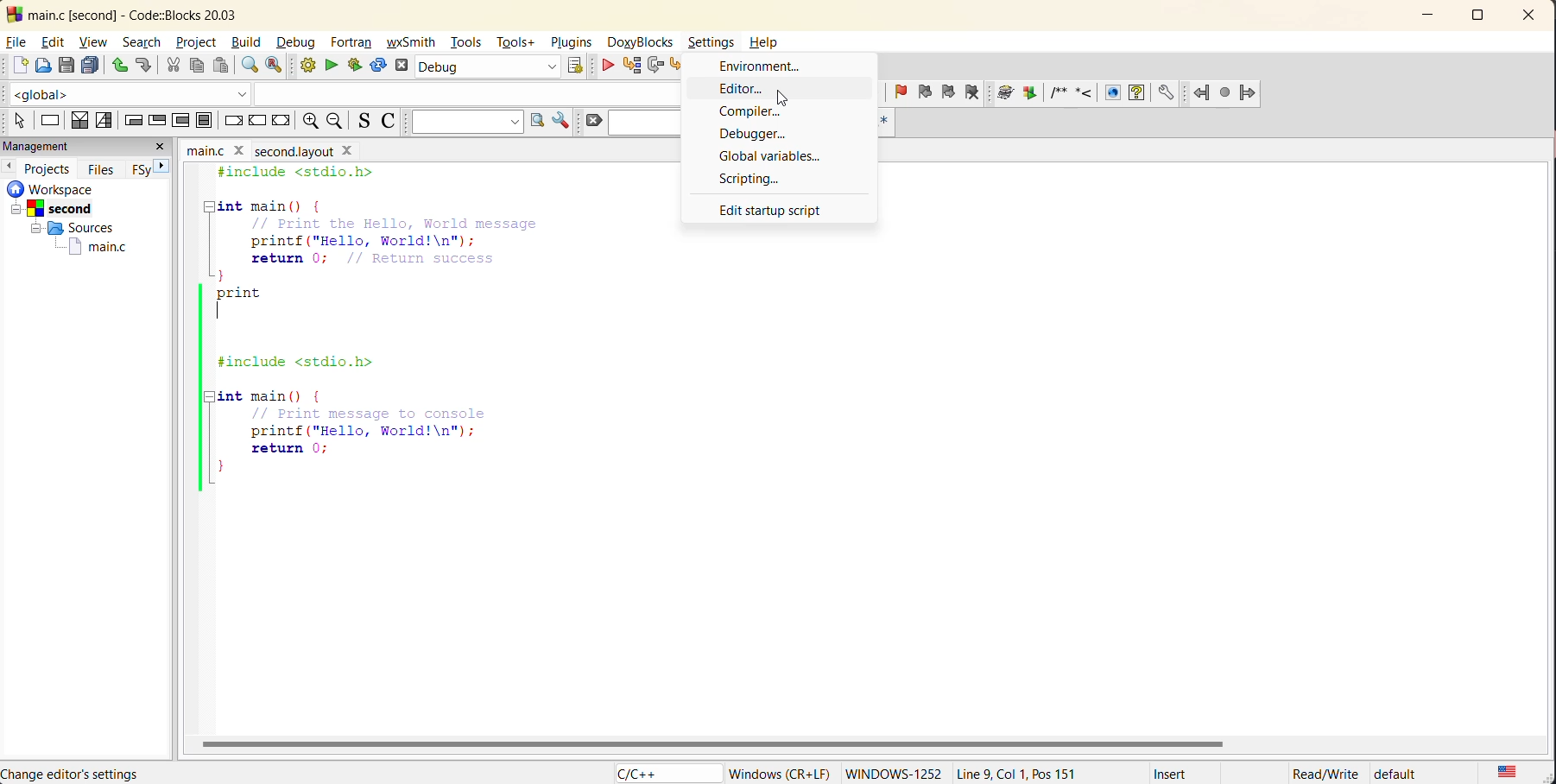 The height and width of the screenshot is (784, 1556). What do you see at coordinates (749, 90) in the screenshot?
I see `editor` at bounding box center [749, 90].